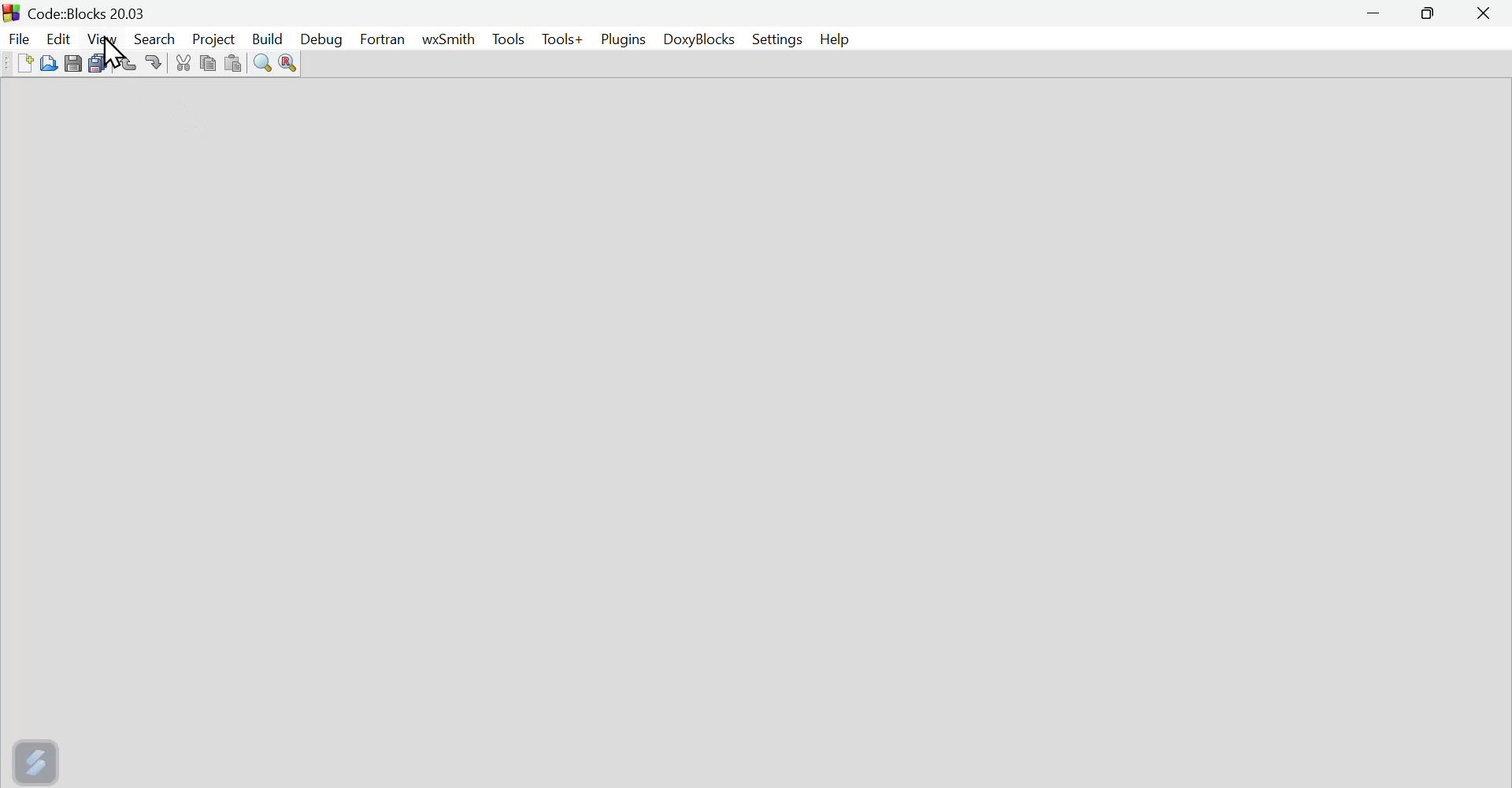  Describe the element at coordinates (59, 34) in the screenshot. I see `edit` at that location.